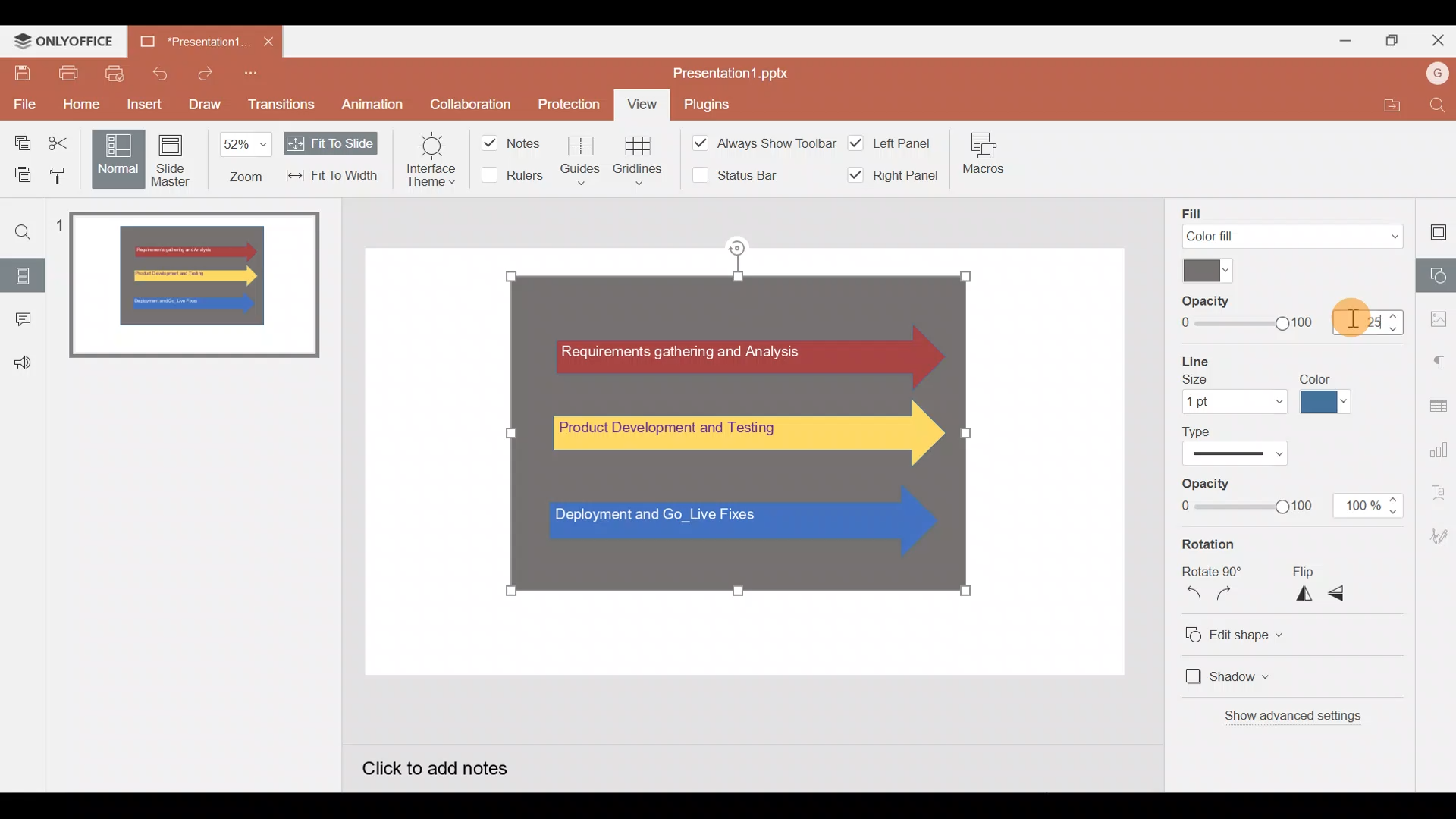  I want to click on Shadow, so click(1238, 674).